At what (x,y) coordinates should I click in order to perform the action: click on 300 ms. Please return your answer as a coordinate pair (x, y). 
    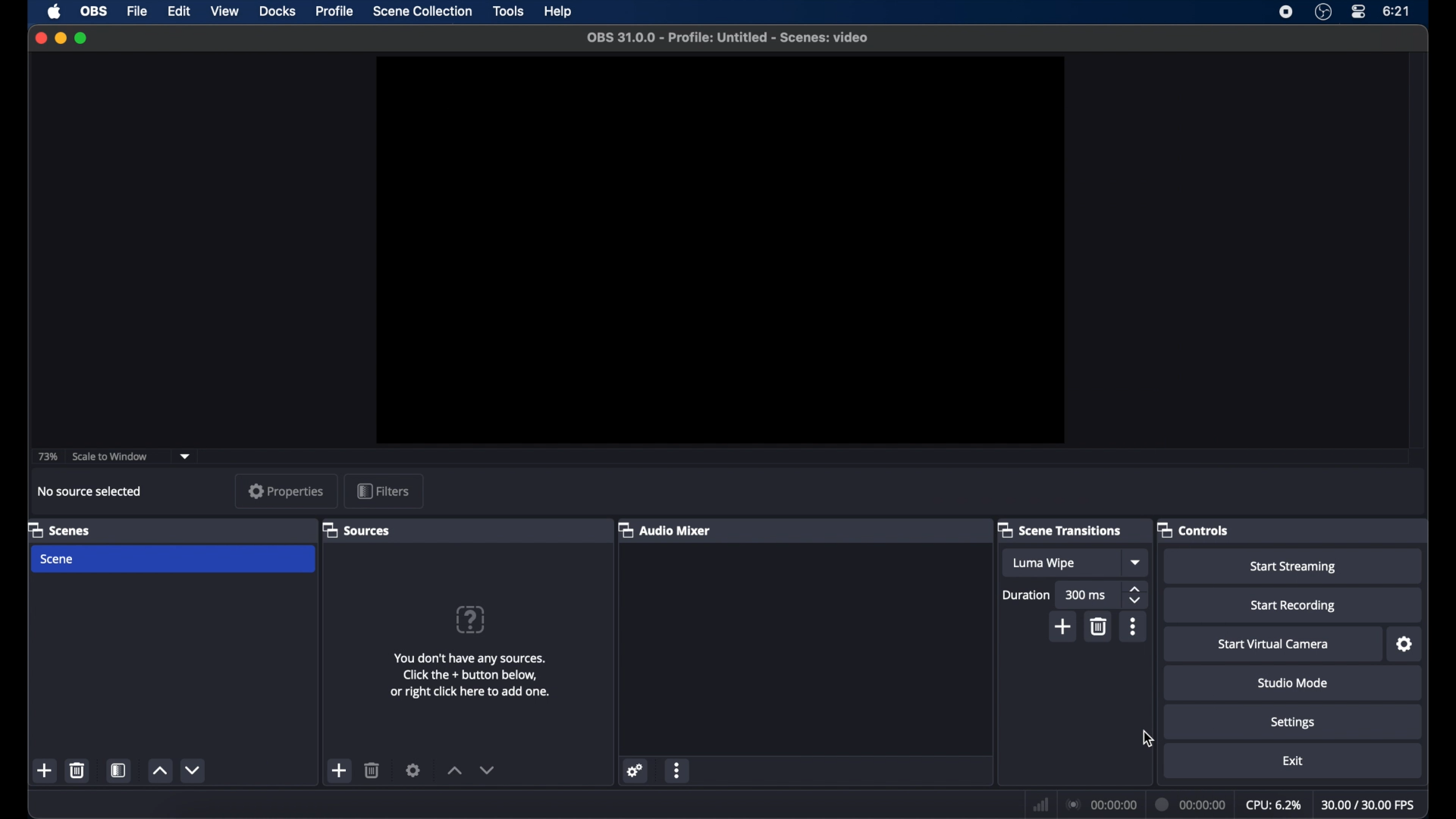
    Looking at the image, I should click on (1084, 595).